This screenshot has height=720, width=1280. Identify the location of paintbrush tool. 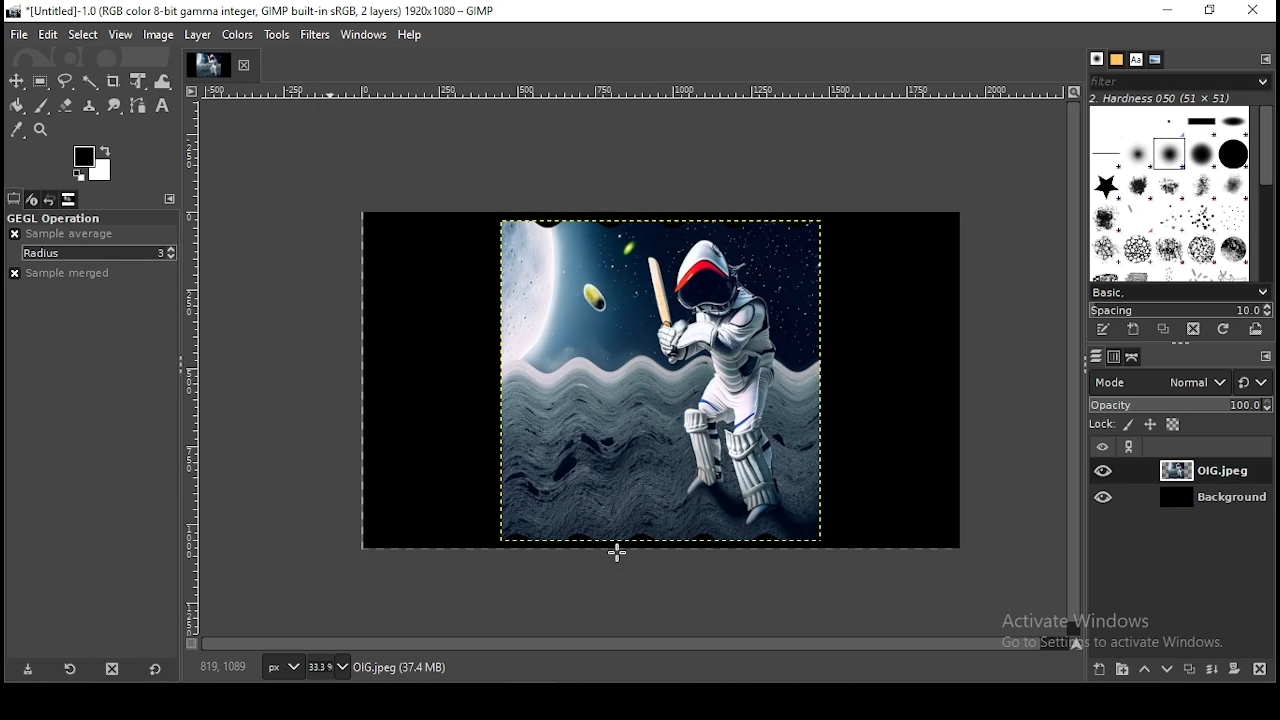
(42, 106).